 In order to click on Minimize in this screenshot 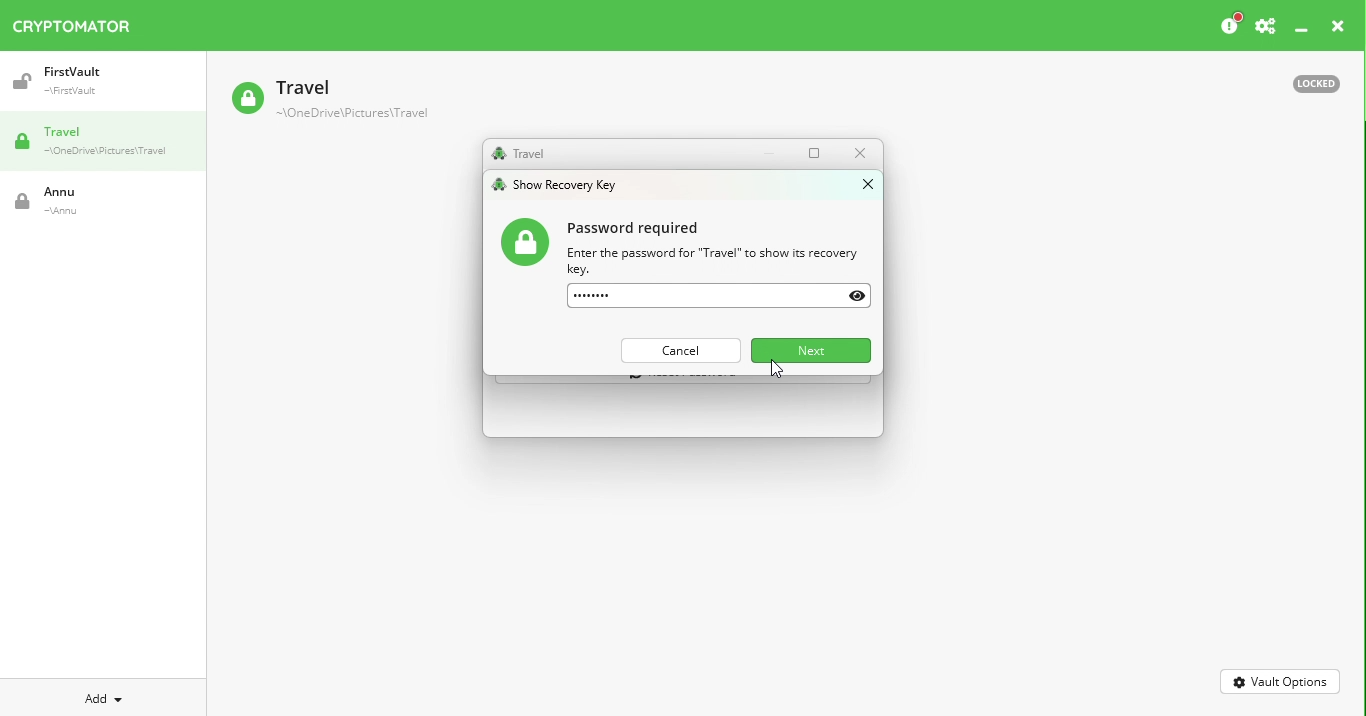, I will do `click(774, 153)`.